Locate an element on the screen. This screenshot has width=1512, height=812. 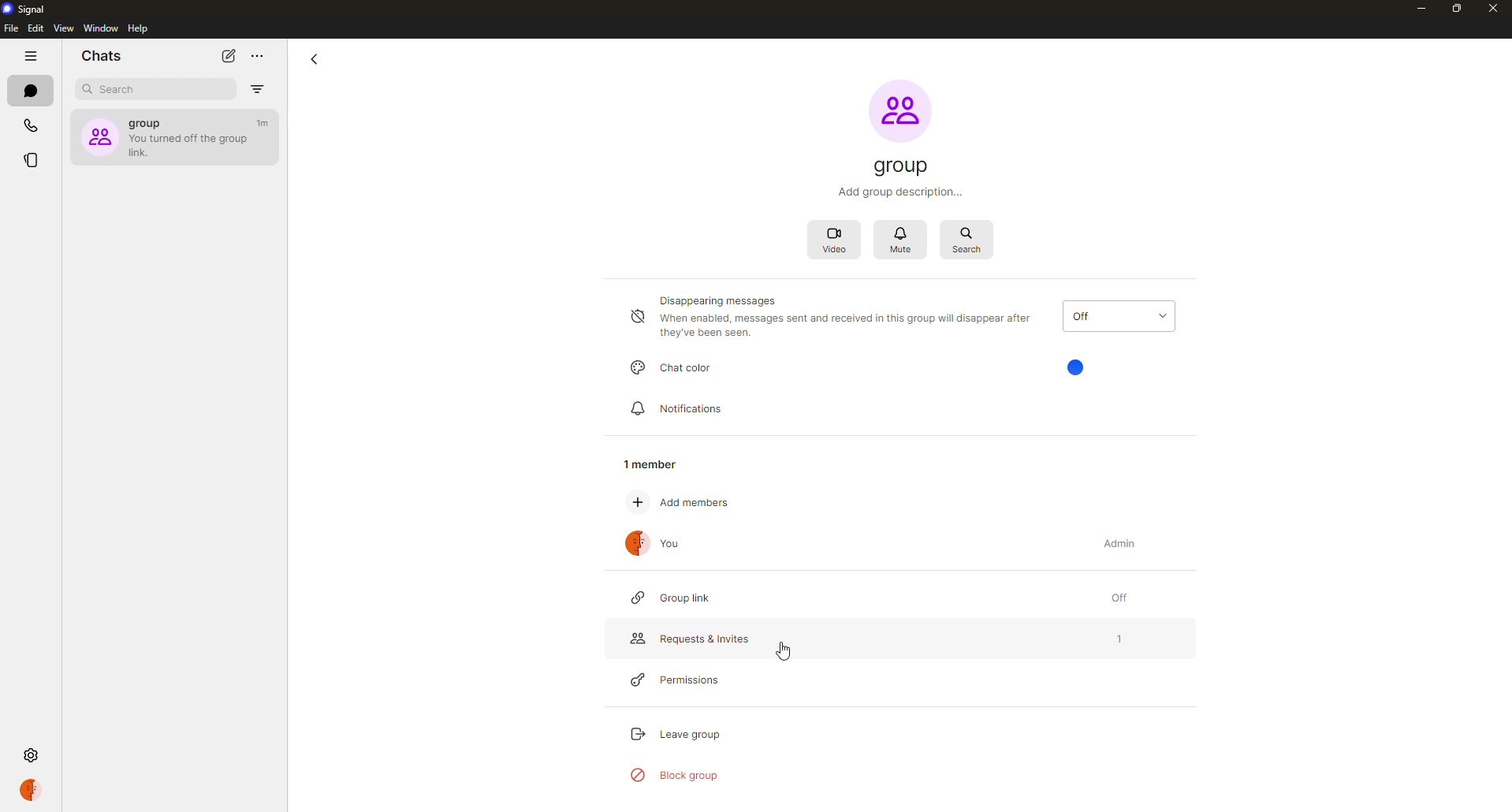
admin is located at coordinates (1119, 542).